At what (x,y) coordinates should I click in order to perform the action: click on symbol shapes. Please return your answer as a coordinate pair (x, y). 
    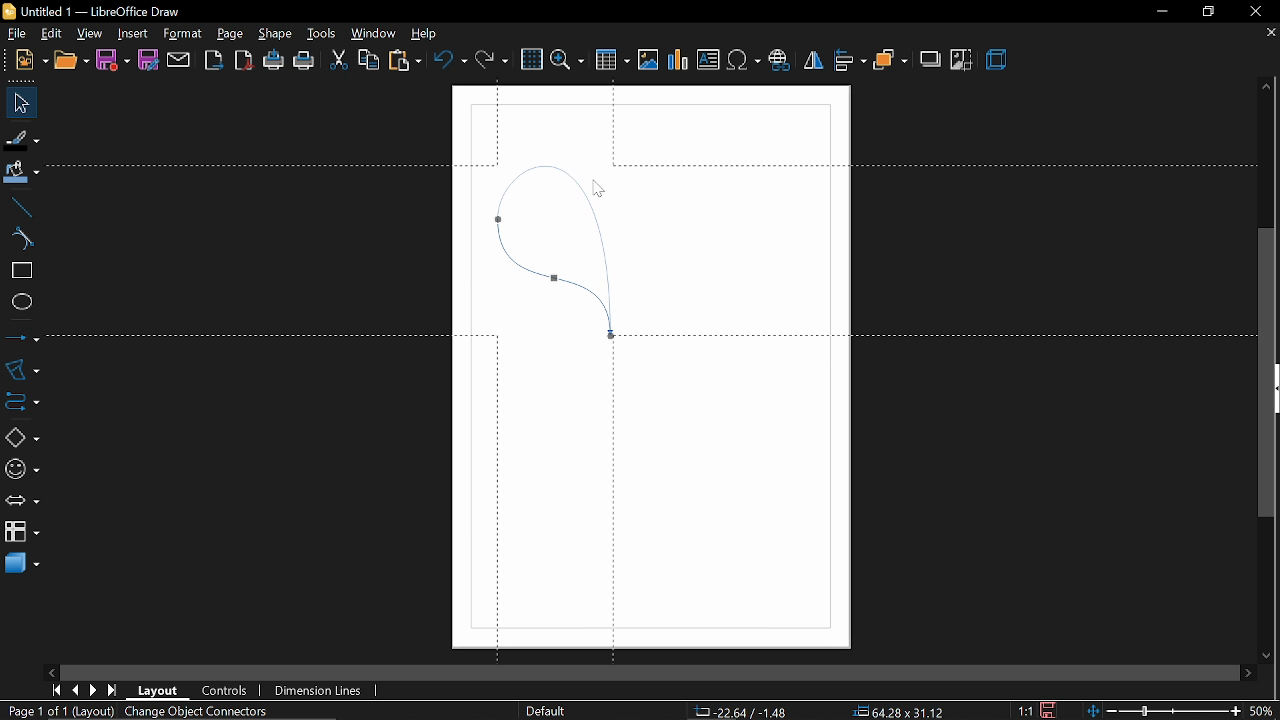
    Looking at the image, I should click on (20, 466).